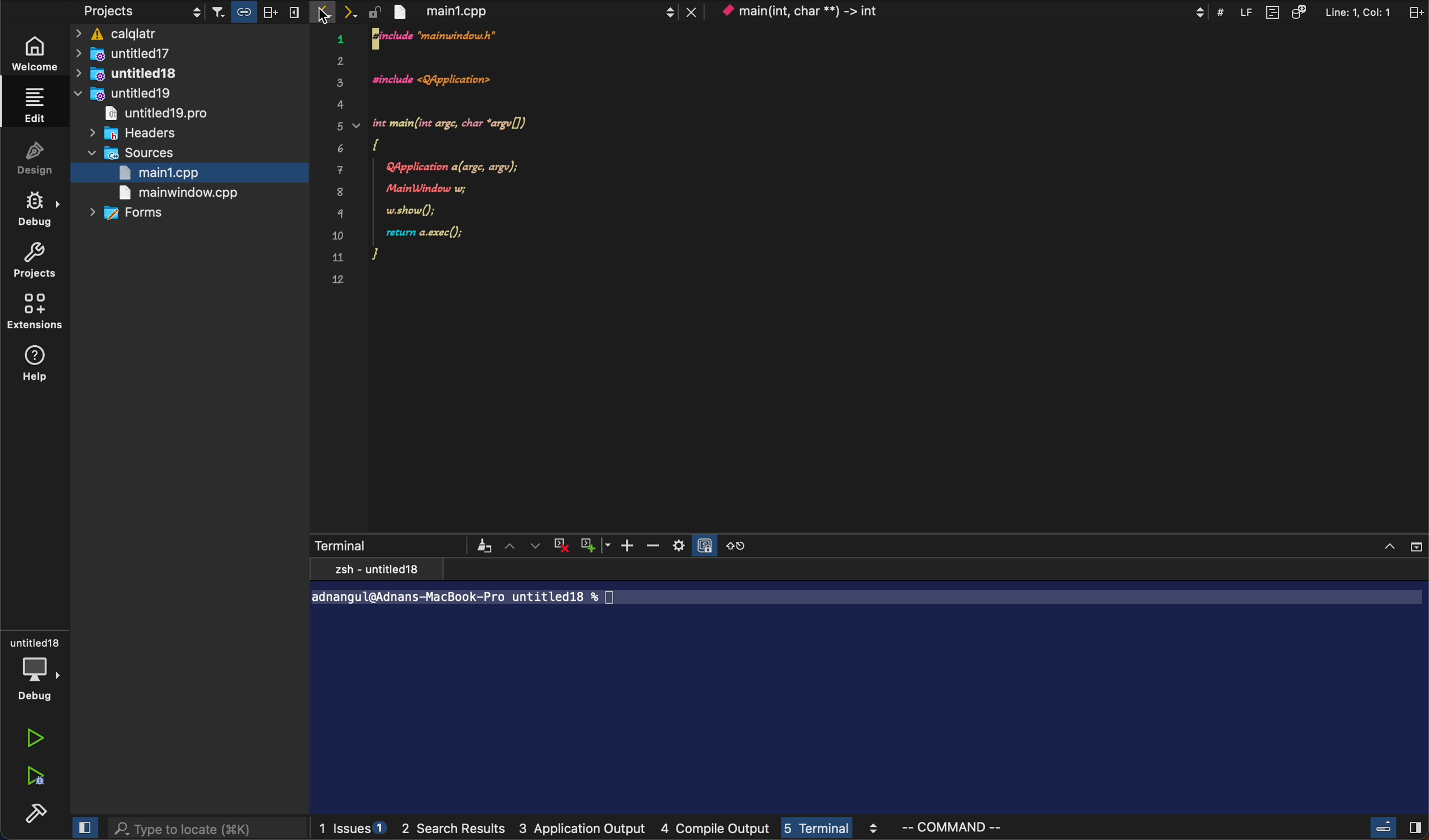 This screenshot has height=840, width=1429. What do you see at coordinates (963, 11) in the screenshot?
I see `context` at bounding box center [963, 11].